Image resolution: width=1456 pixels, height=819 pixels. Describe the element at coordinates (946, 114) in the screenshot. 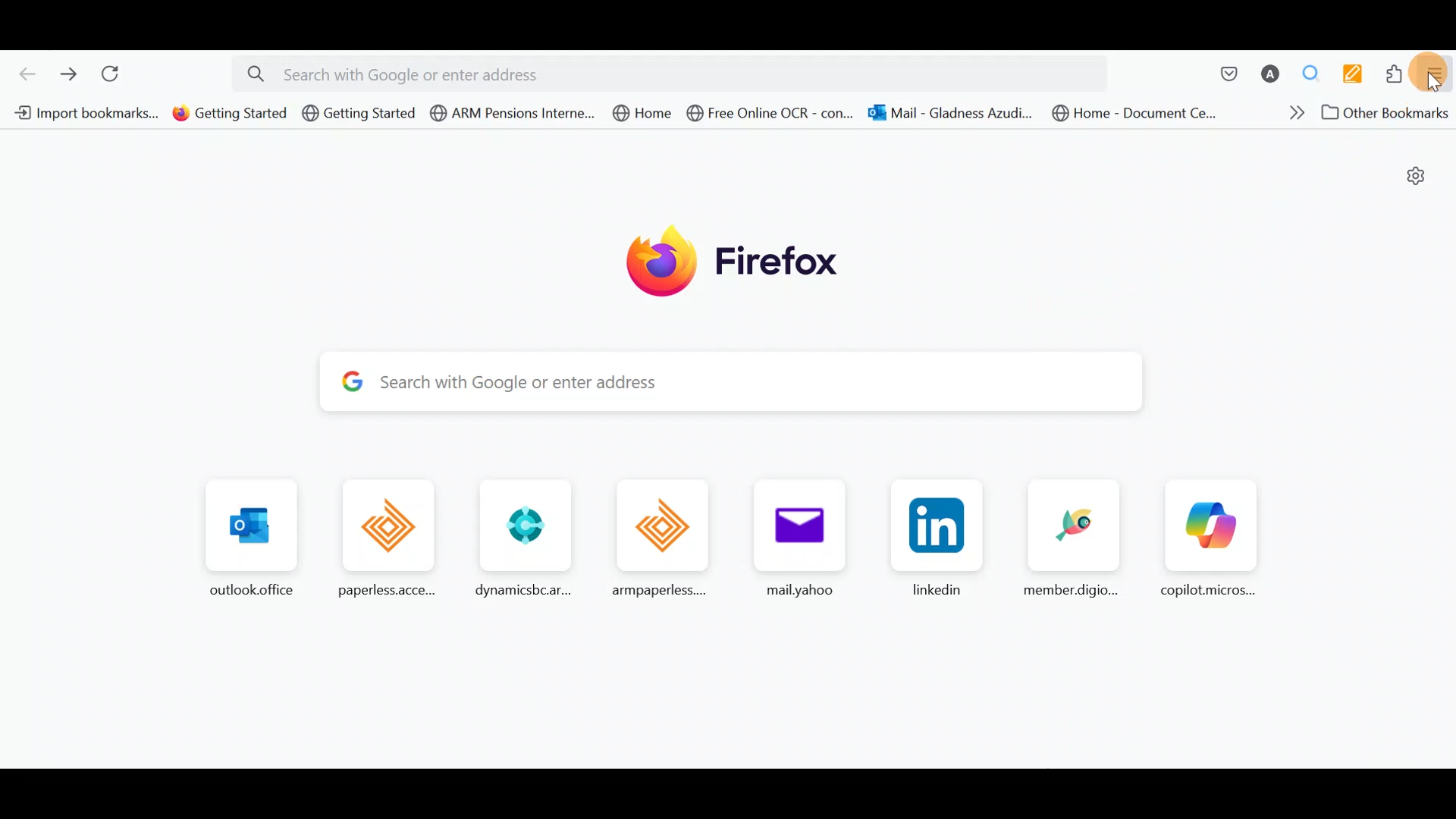

I see `- con... G3 Mail - Gladness Azudi.` at that location.